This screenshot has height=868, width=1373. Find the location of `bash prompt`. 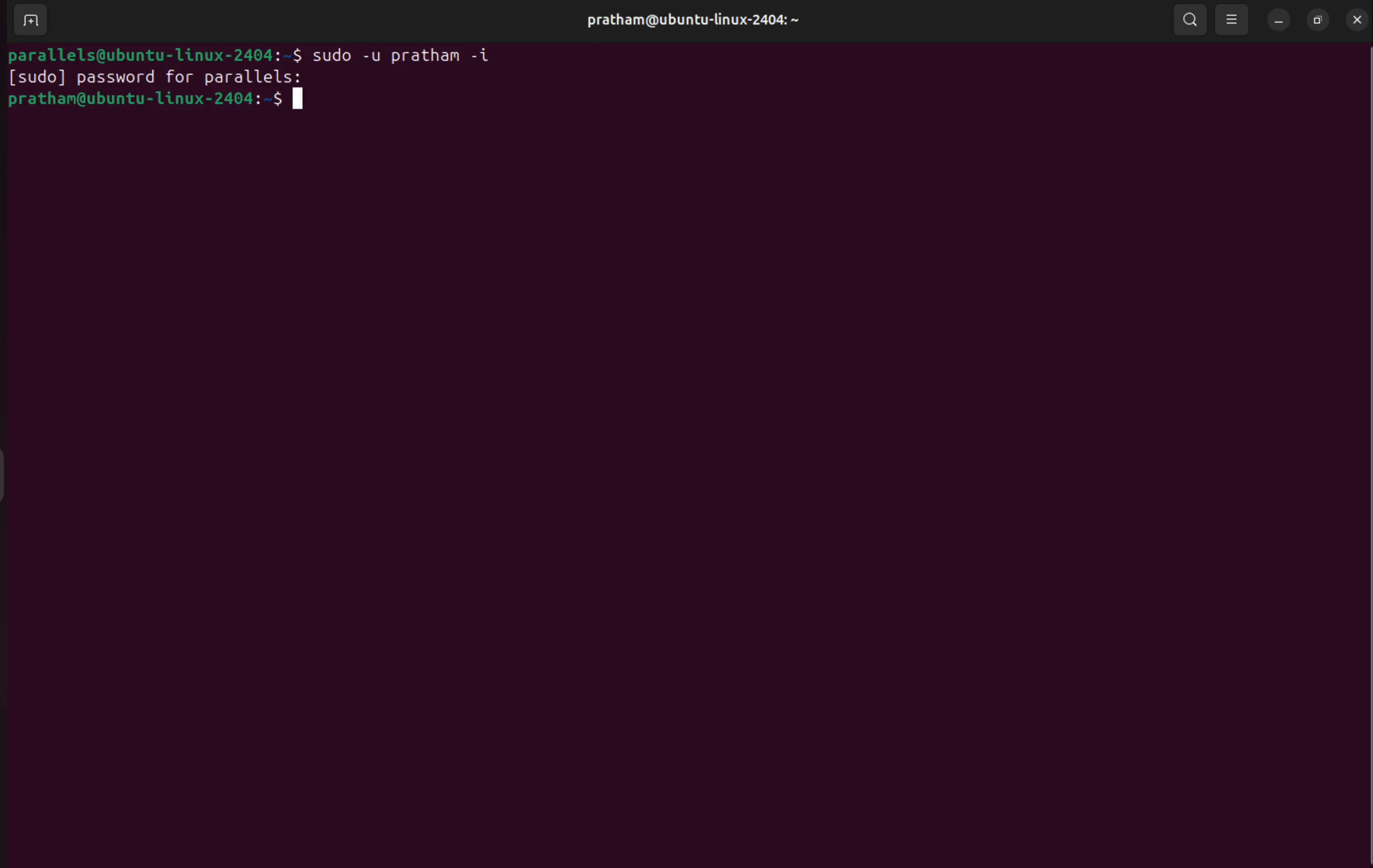

bash prompt is located at coordinates (152, 52).